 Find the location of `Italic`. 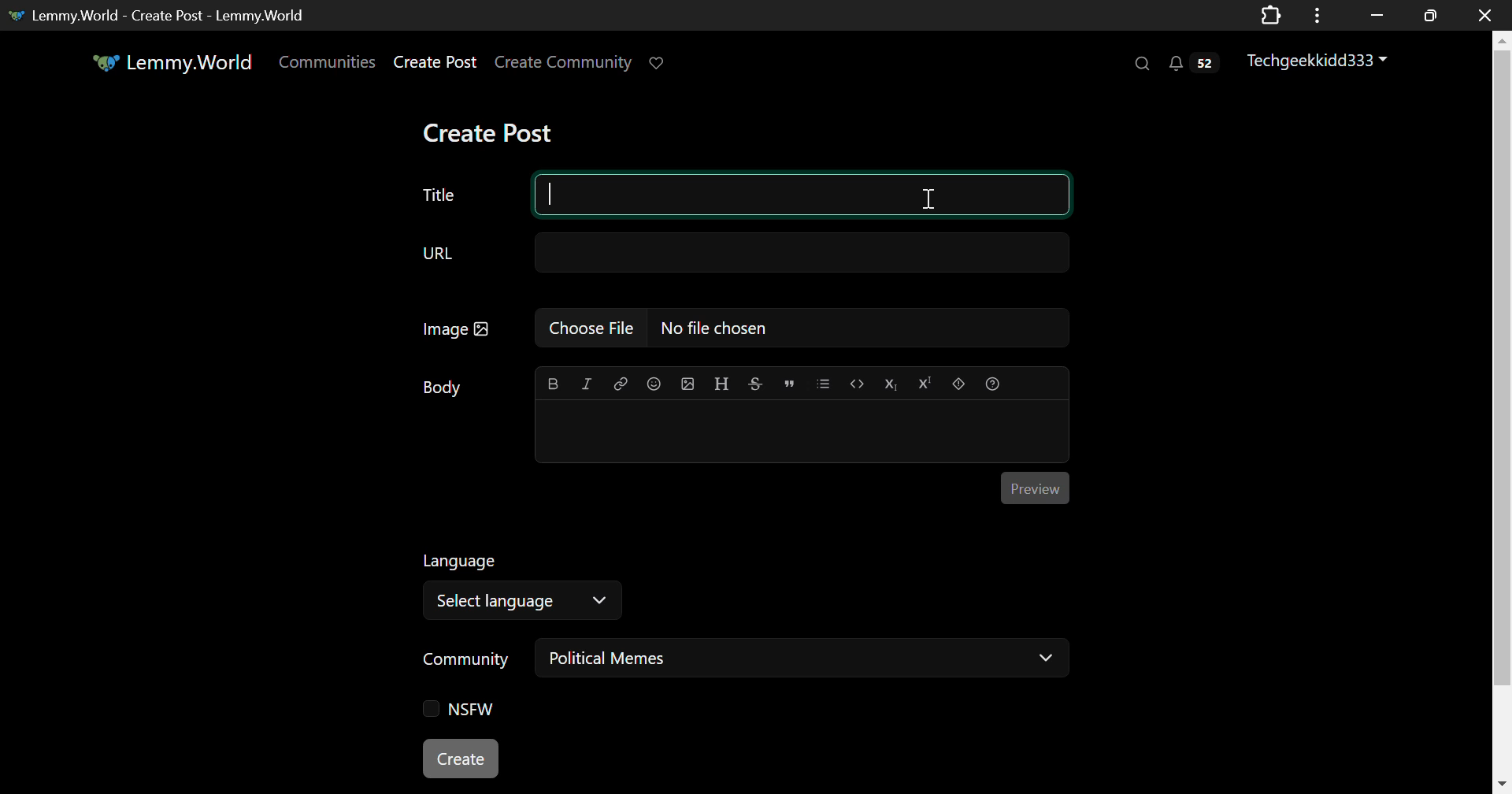

Italic is located at coordinates (586, 382).